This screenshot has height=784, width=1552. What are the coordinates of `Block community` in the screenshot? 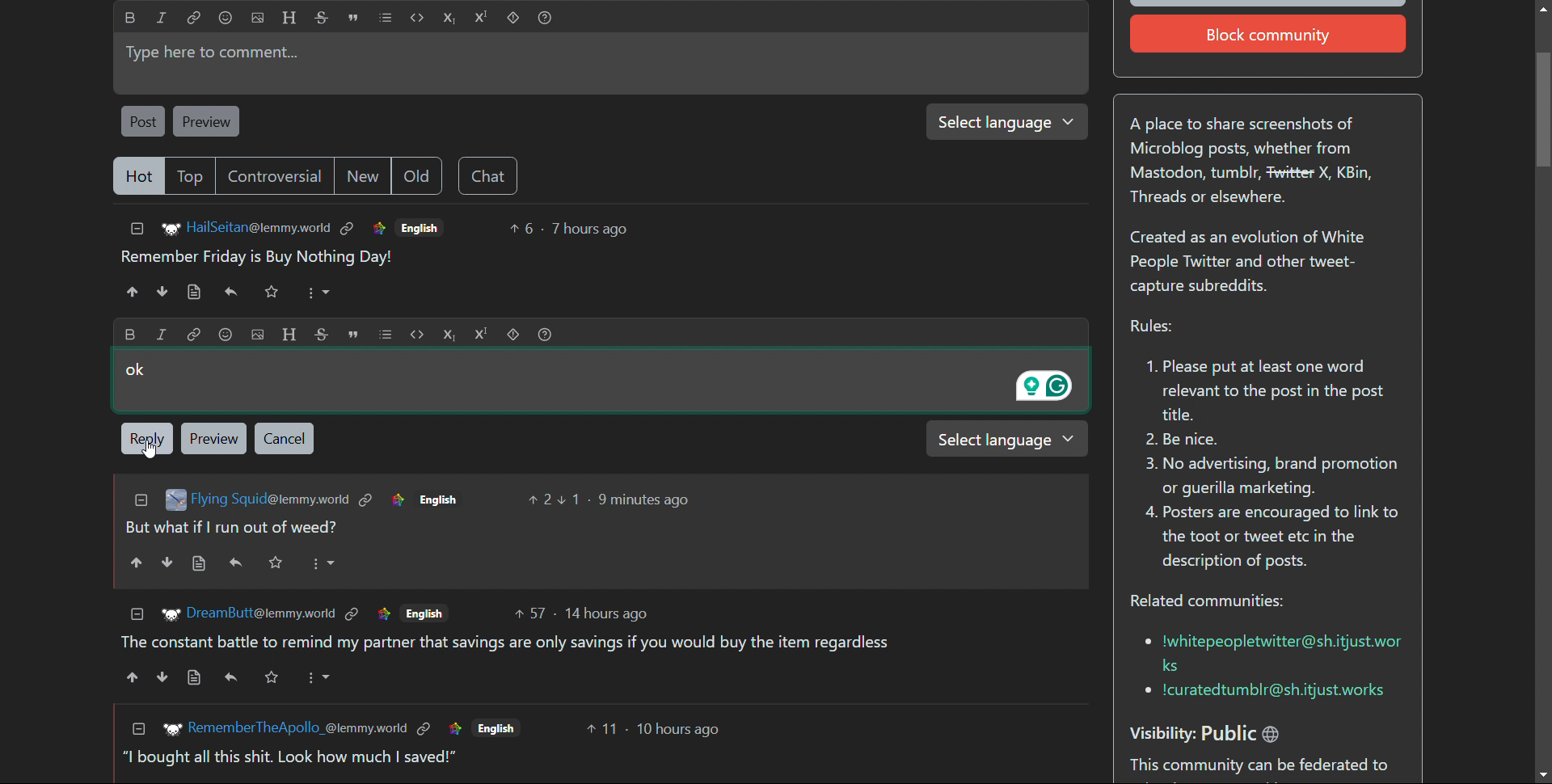 It's located at (1272, 35).